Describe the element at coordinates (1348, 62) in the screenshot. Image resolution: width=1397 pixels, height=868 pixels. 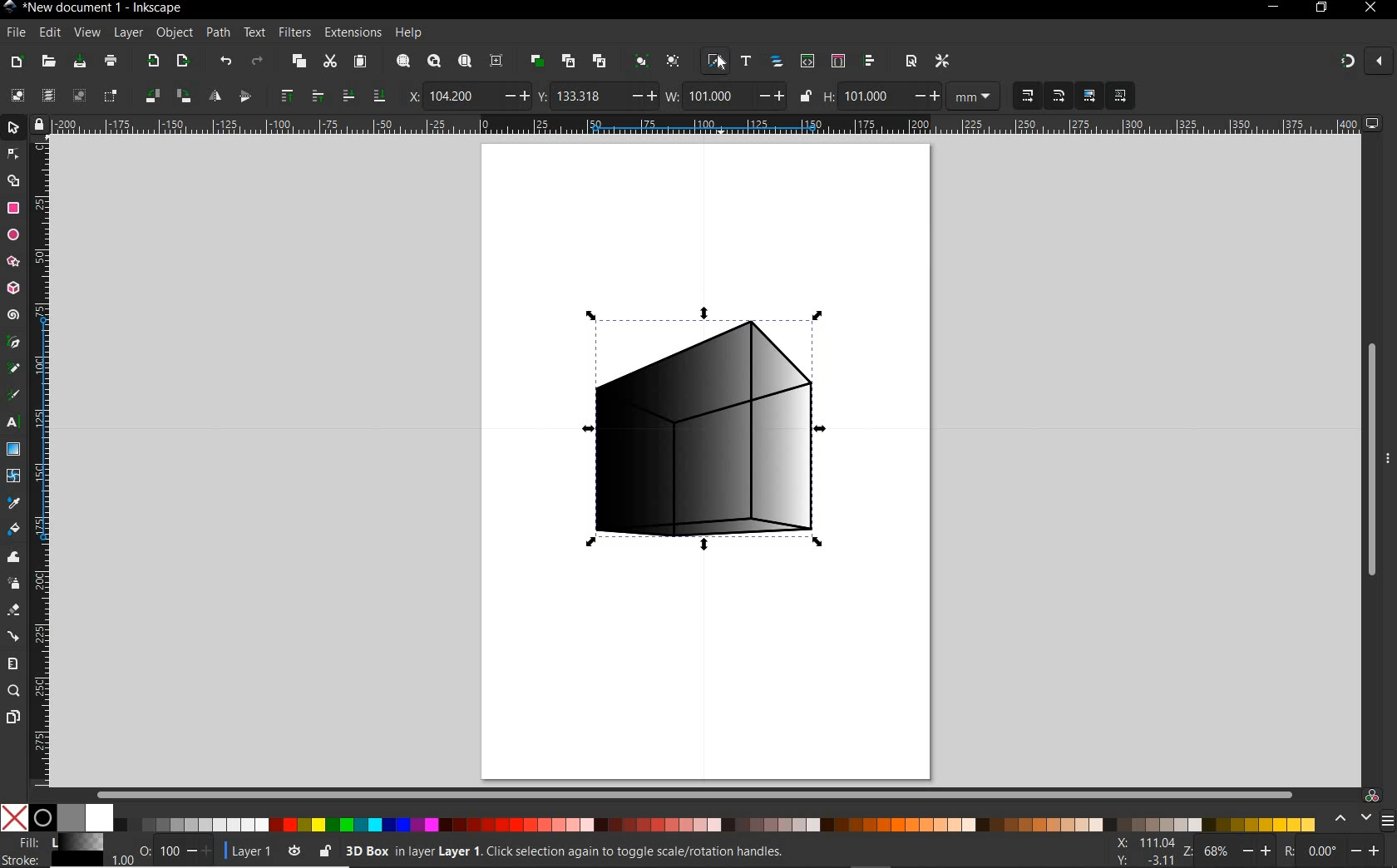
I see `ENABLE SNAPPING TOOL` at that location.